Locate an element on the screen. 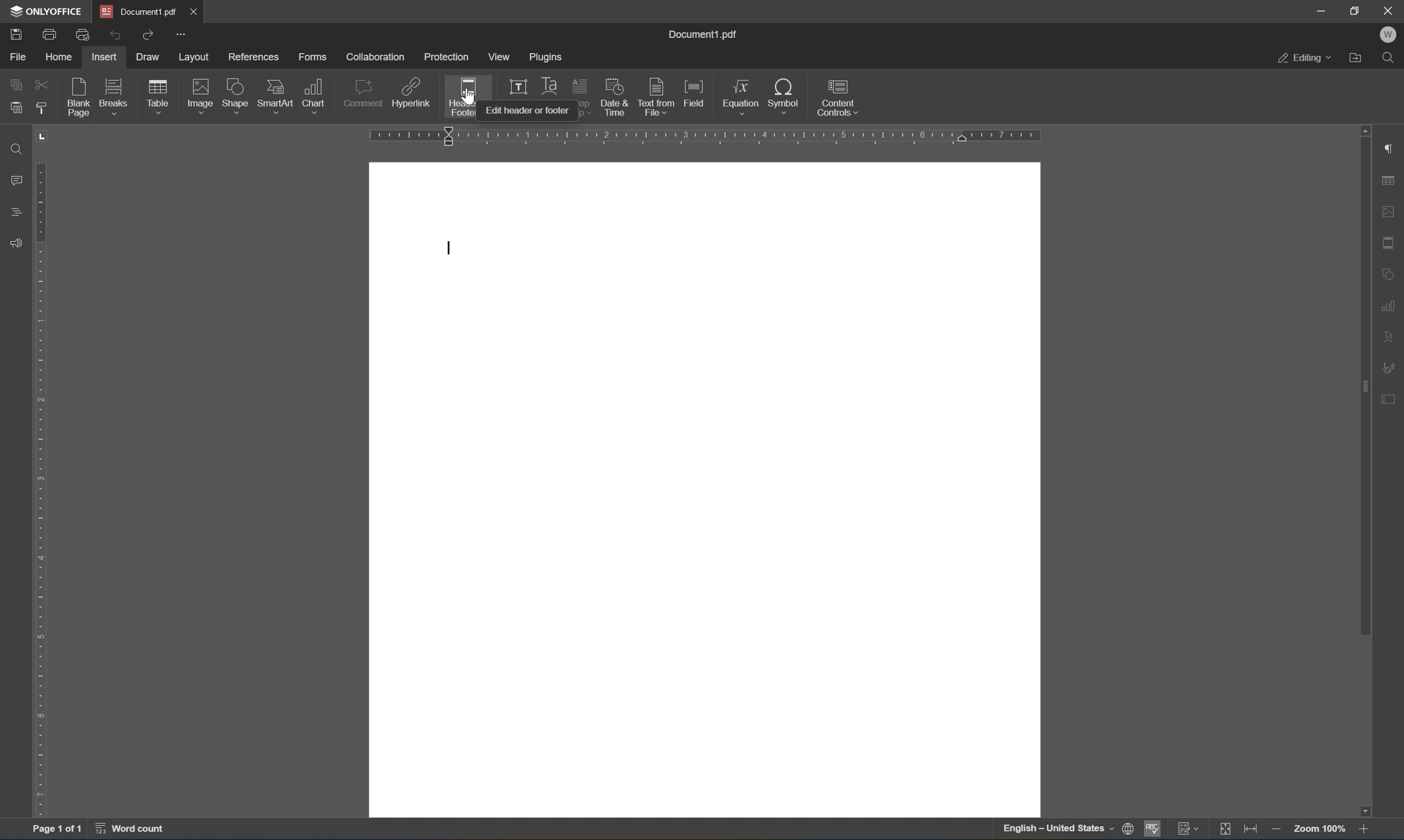 The height and width of the screenshot is (840, 1404). fit to slide is located at coordinates (1224, 830).